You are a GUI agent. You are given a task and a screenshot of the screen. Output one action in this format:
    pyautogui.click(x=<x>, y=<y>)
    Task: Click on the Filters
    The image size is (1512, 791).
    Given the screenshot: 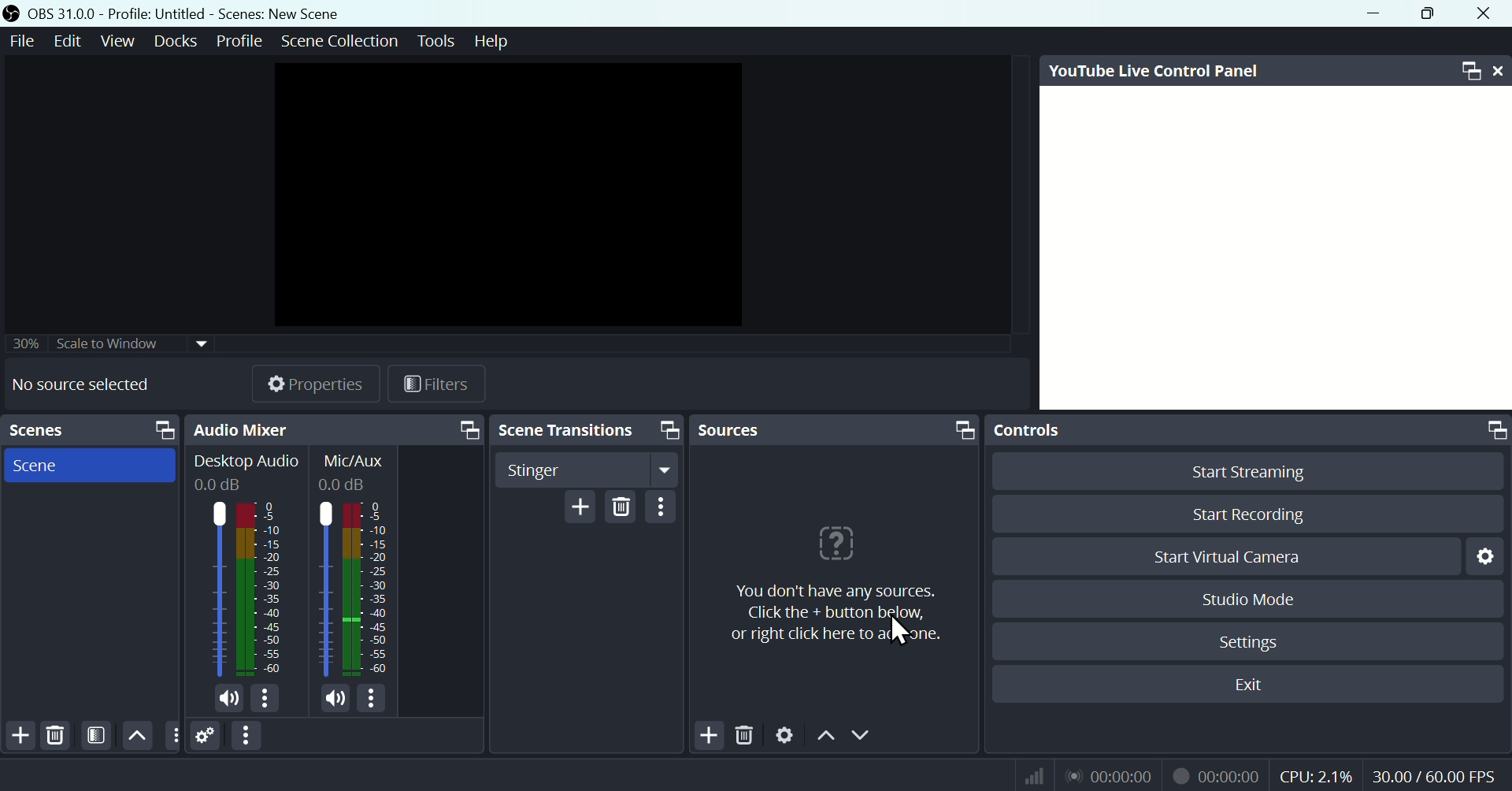 What is the action you would take?
    pyautogui.click(x=94, y=736)
    